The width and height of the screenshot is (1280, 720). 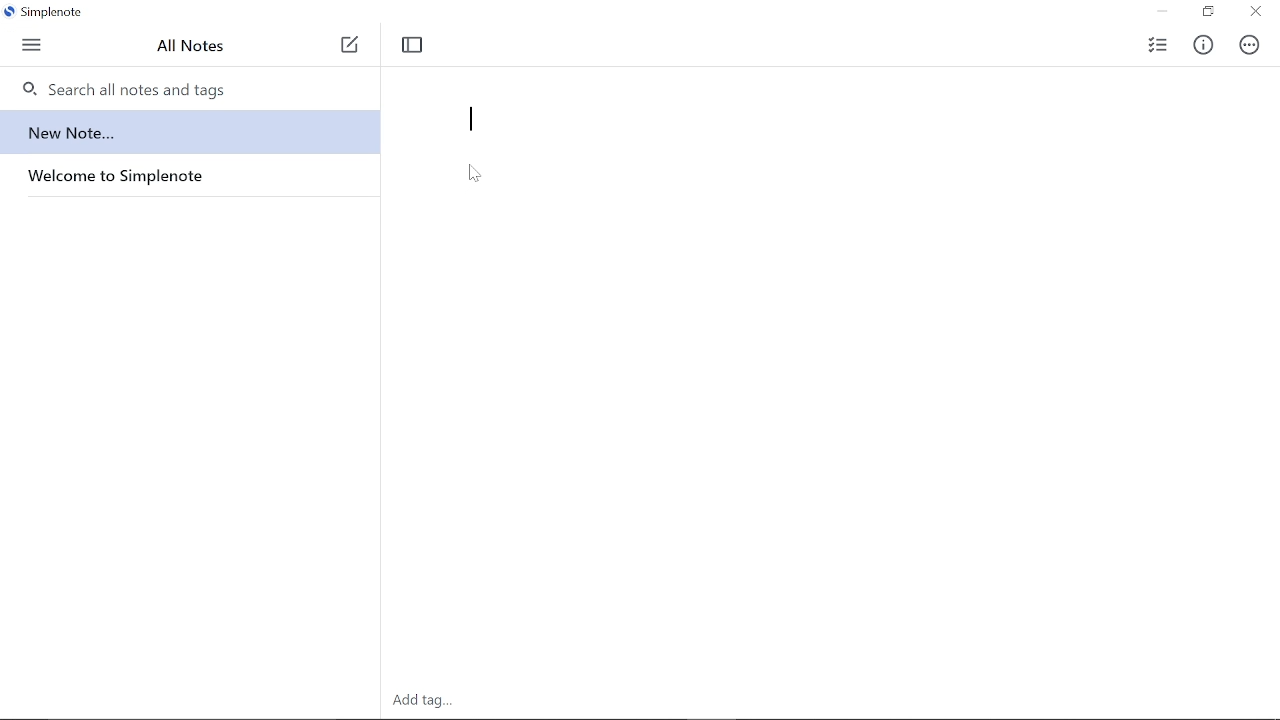 I want to click on space for writing on the note, so click(x=836, y=422).